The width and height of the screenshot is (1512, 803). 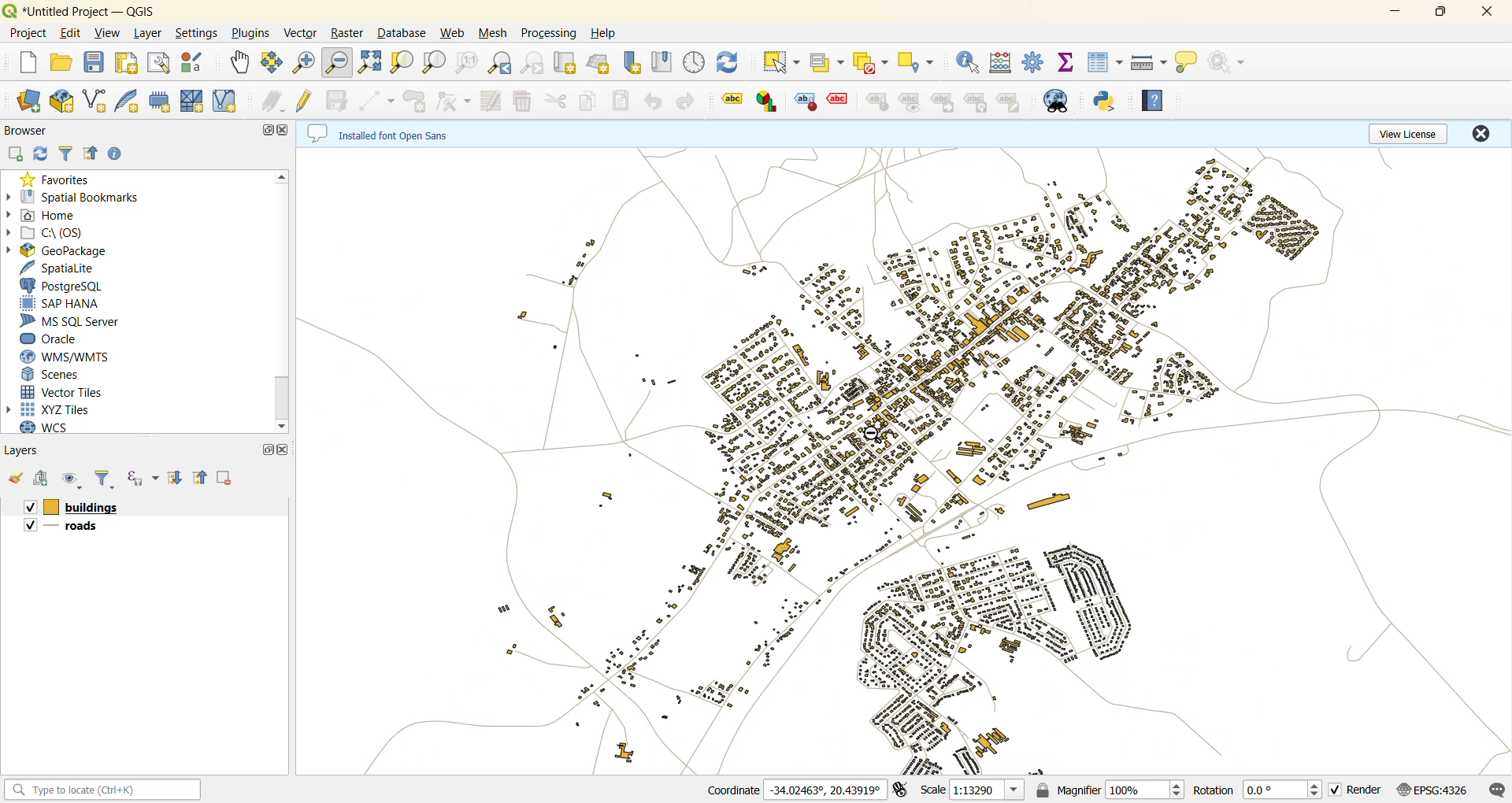 I want to click on style manager, so click(x=196, y=65).